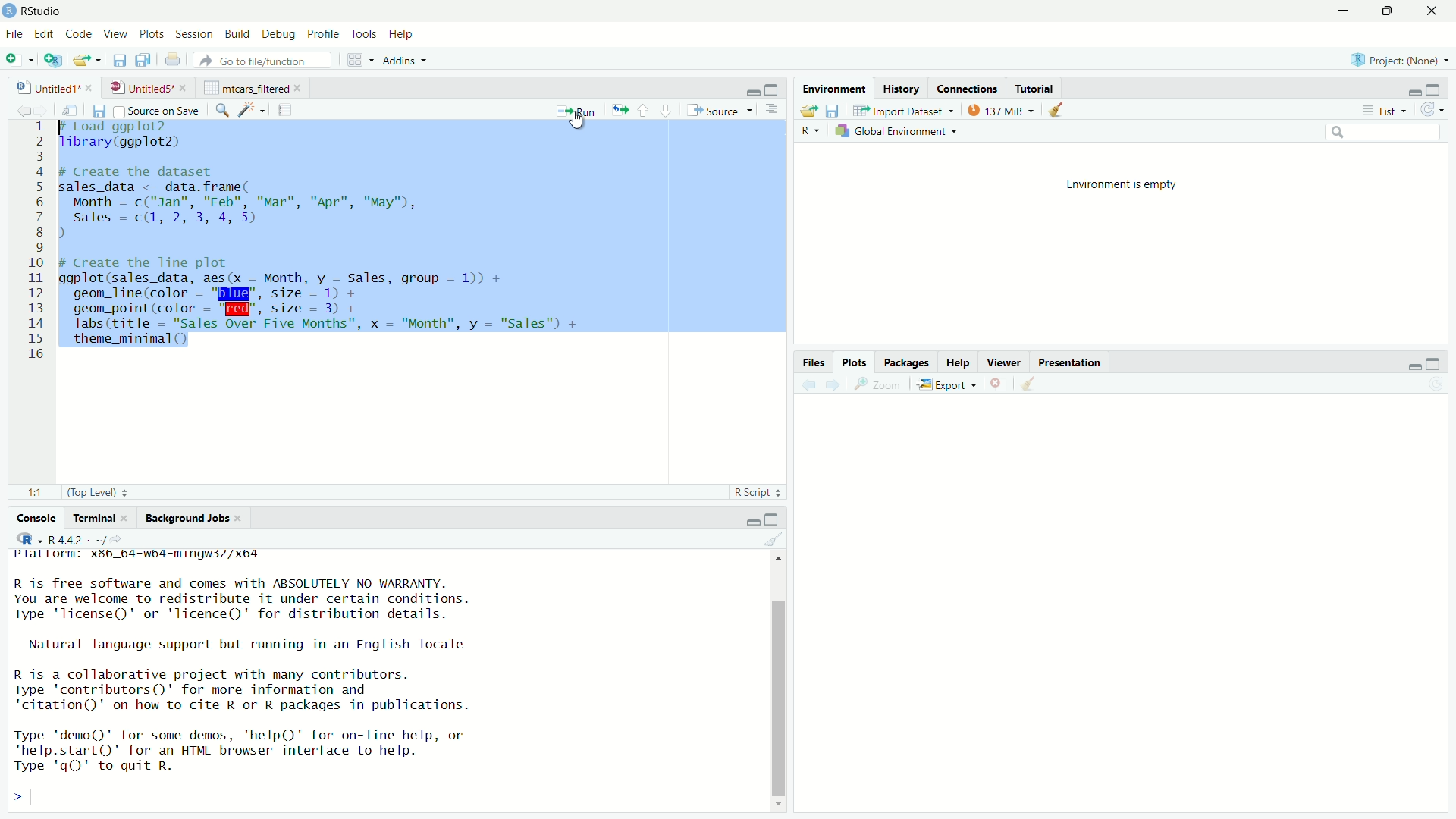  Describe the element at coordinates (808, 111) in the screenshot. I see `open file` at that location.